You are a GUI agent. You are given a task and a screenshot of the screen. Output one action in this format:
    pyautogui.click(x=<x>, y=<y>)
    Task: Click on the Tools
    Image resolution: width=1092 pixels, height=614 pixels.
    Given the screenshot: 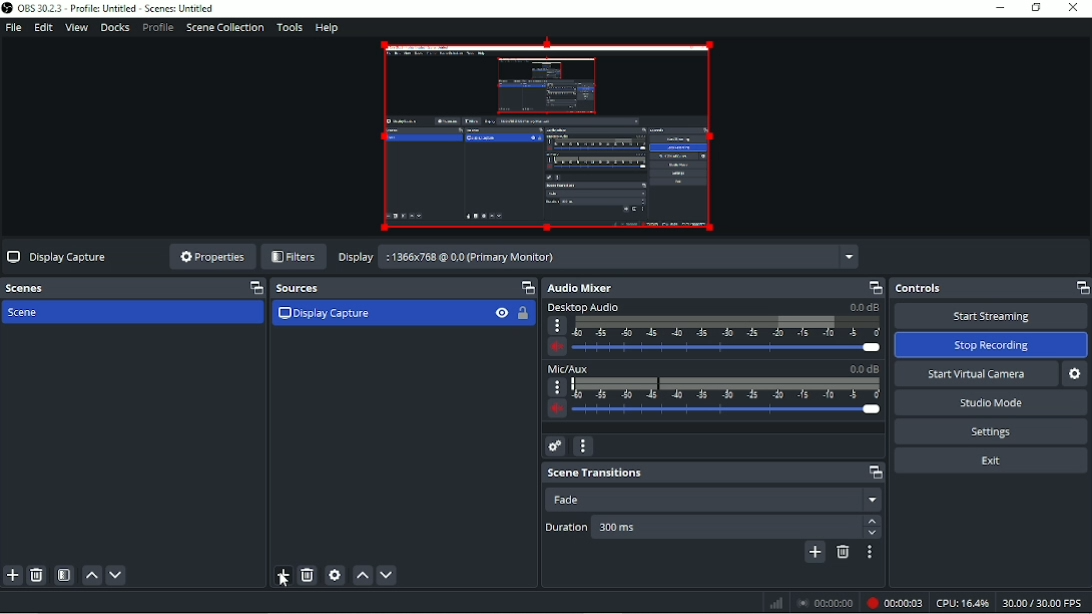 What is the action you would take?
    pyautogui.click(x=289, y=27)
    